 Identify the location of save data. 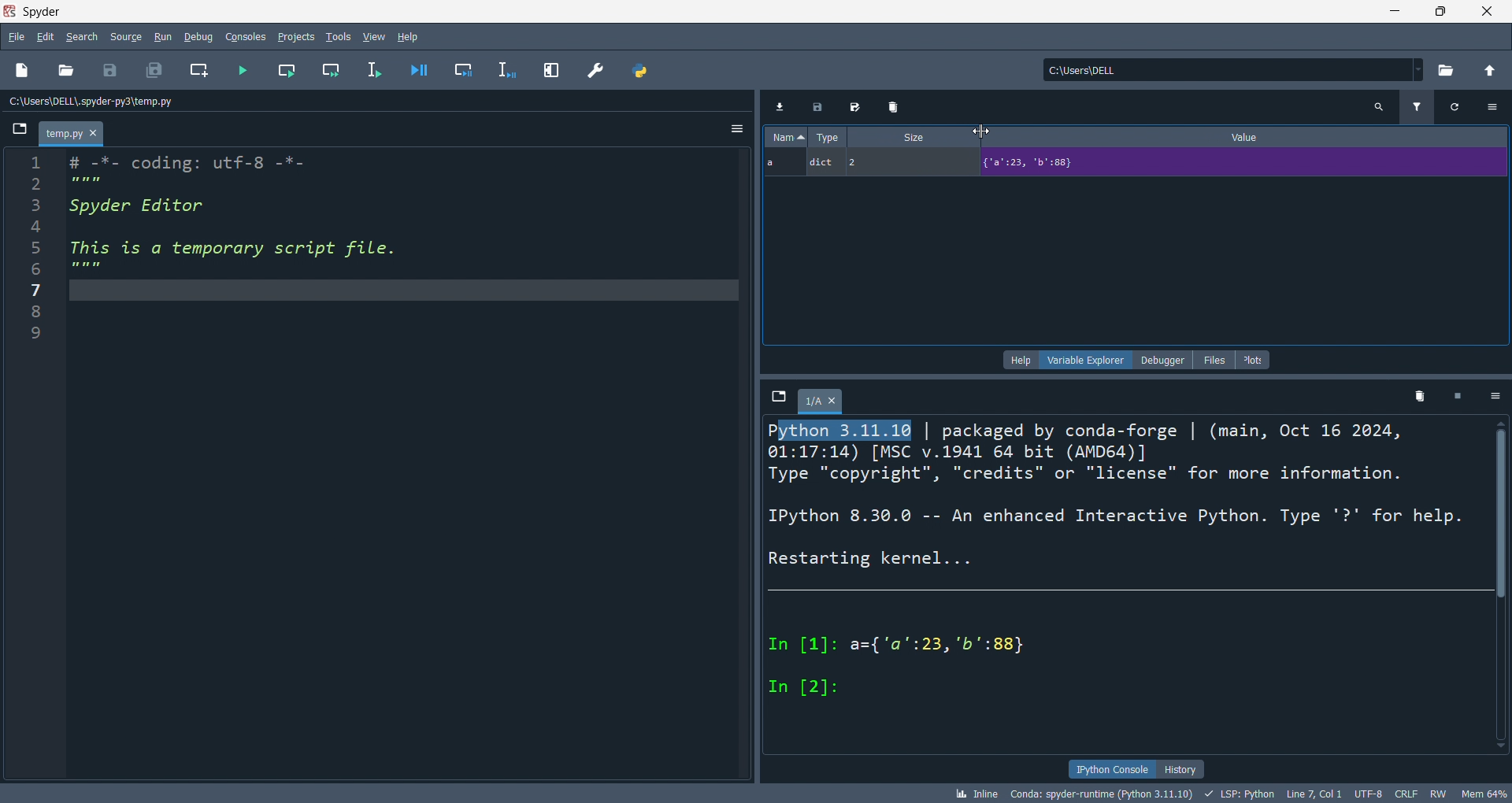
(815, 110).